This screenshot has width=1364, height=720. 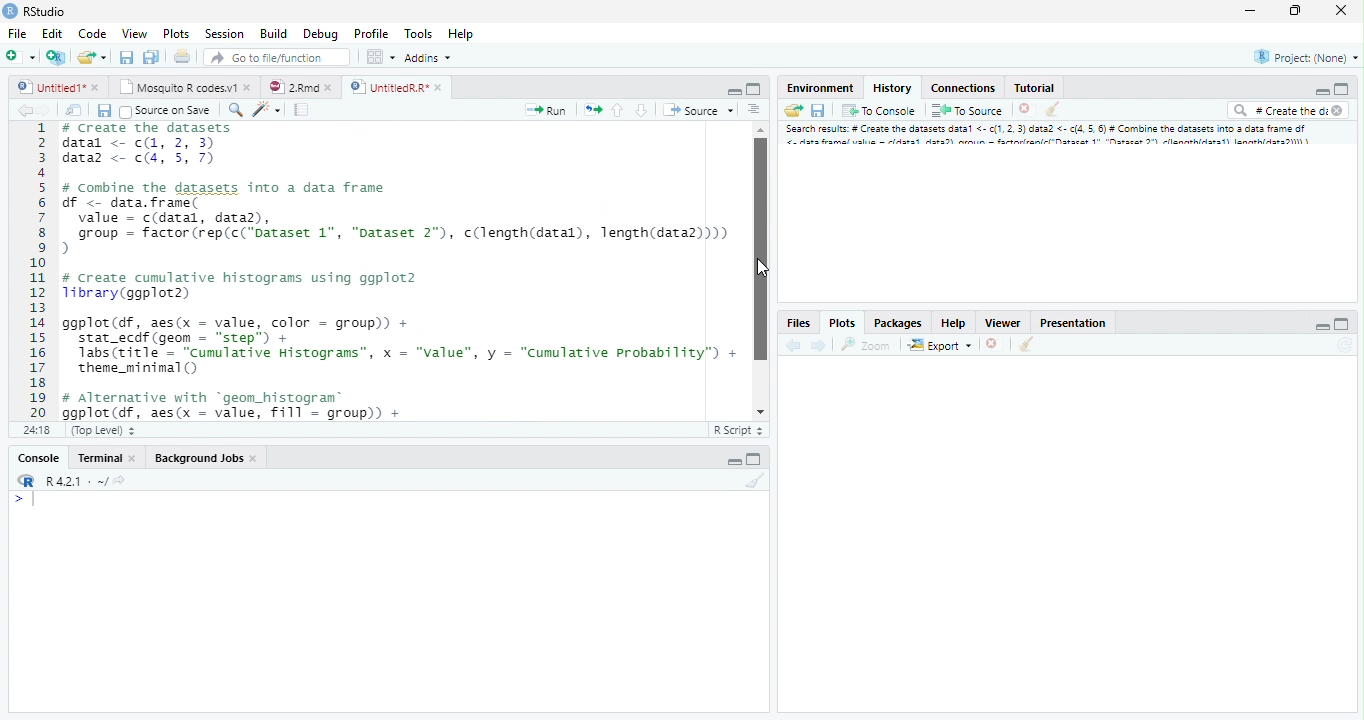 I want to click on Clear console, so click(x=1055, y=111).